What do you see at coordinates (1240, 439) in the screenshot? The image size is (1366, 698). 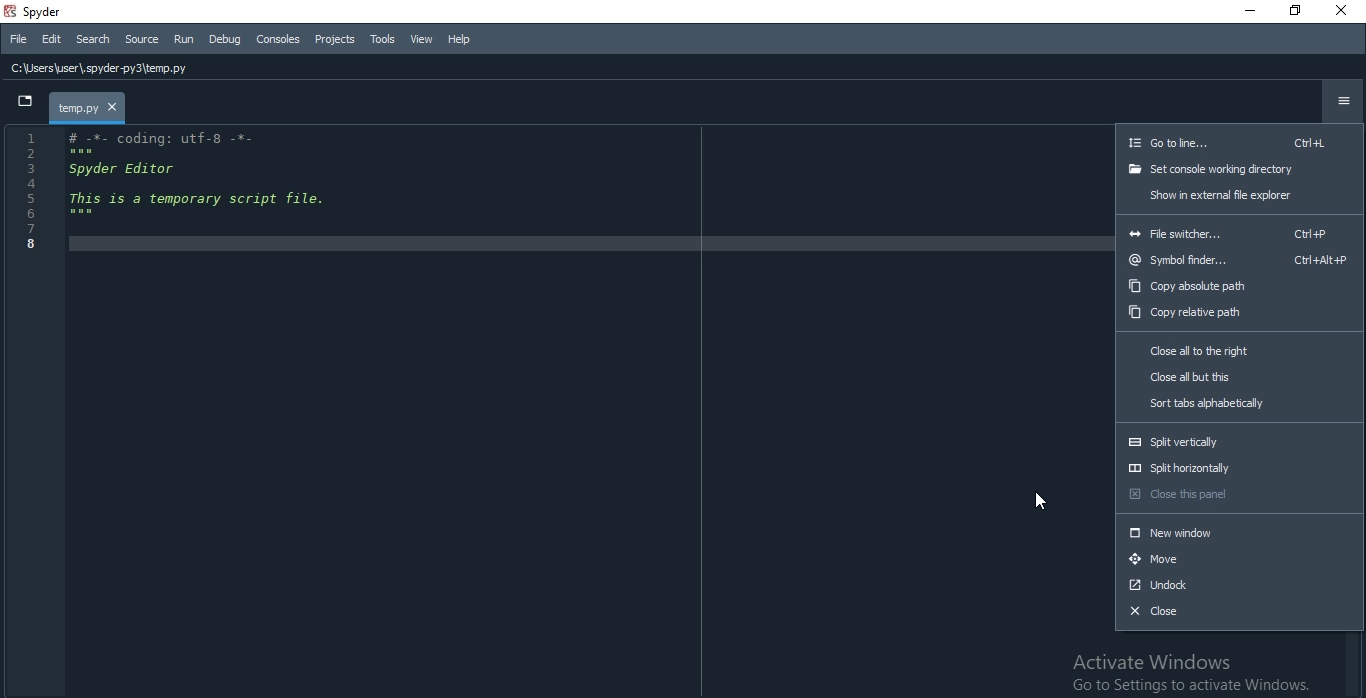 I see `split vertically` at bounding box center [1240, 439].